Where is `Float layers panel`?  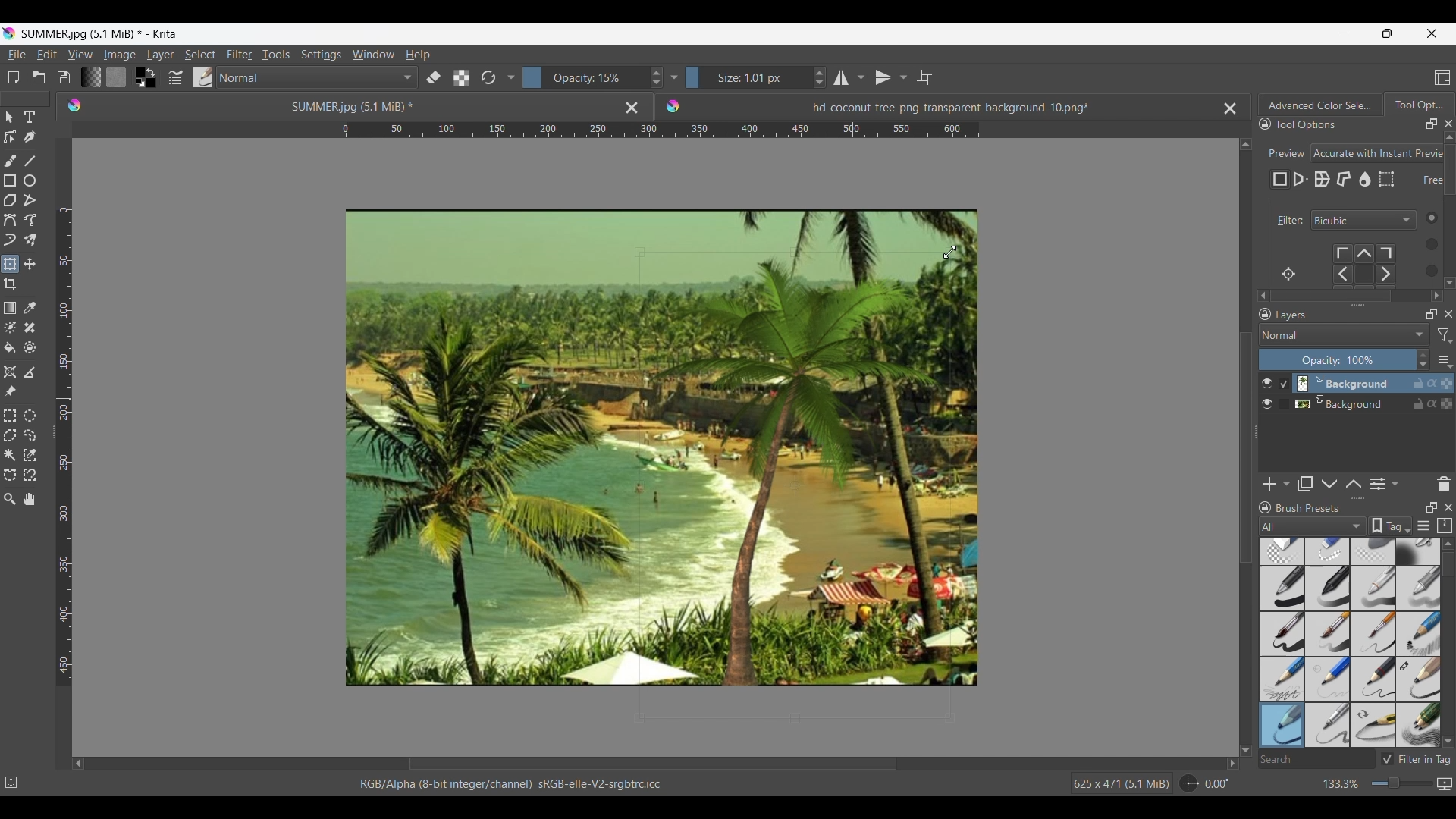 Float layers panel is located at coordinates (1432, 314).